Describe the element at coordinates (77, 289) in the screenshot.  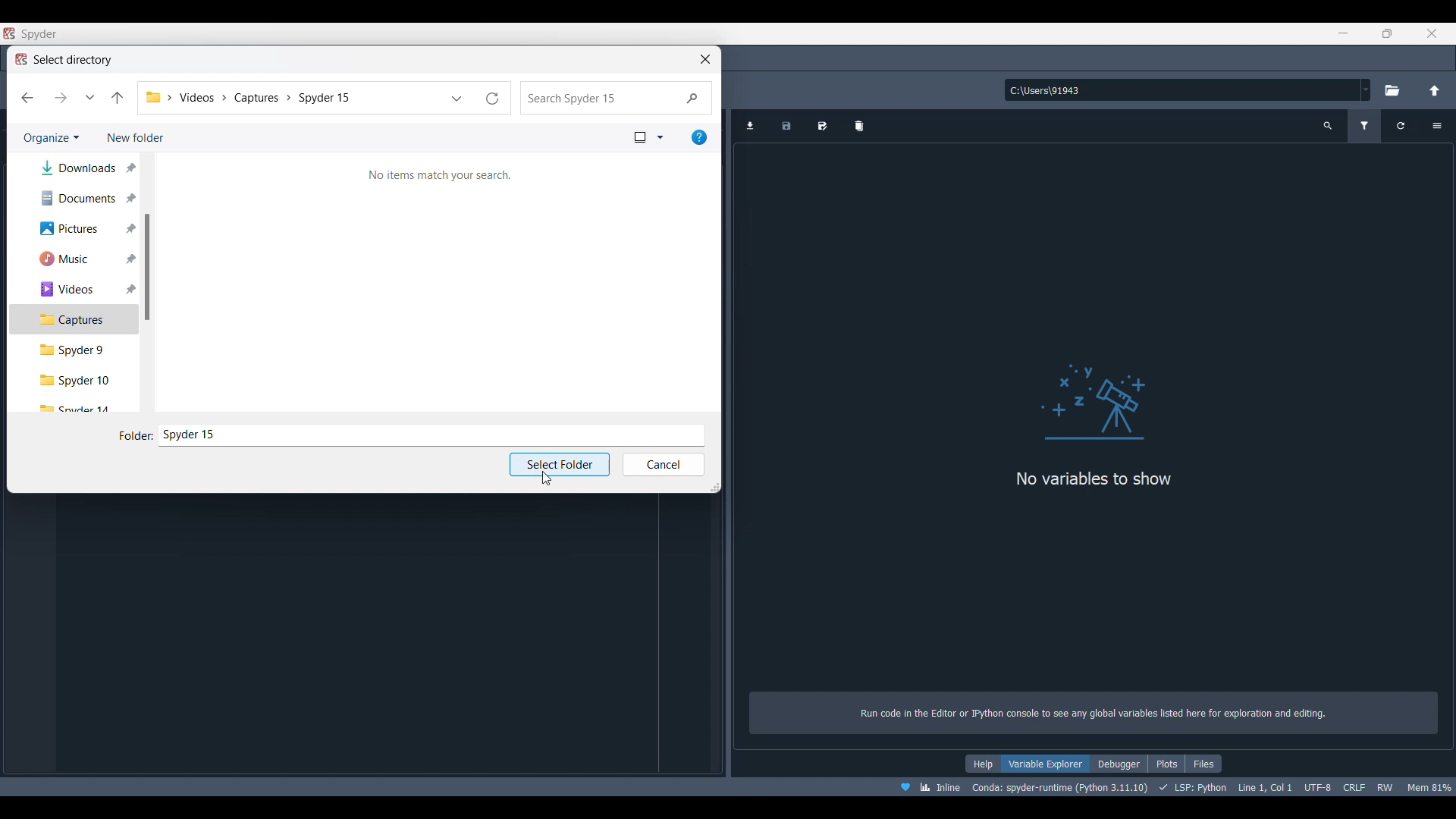
I see `Videos` at that location.